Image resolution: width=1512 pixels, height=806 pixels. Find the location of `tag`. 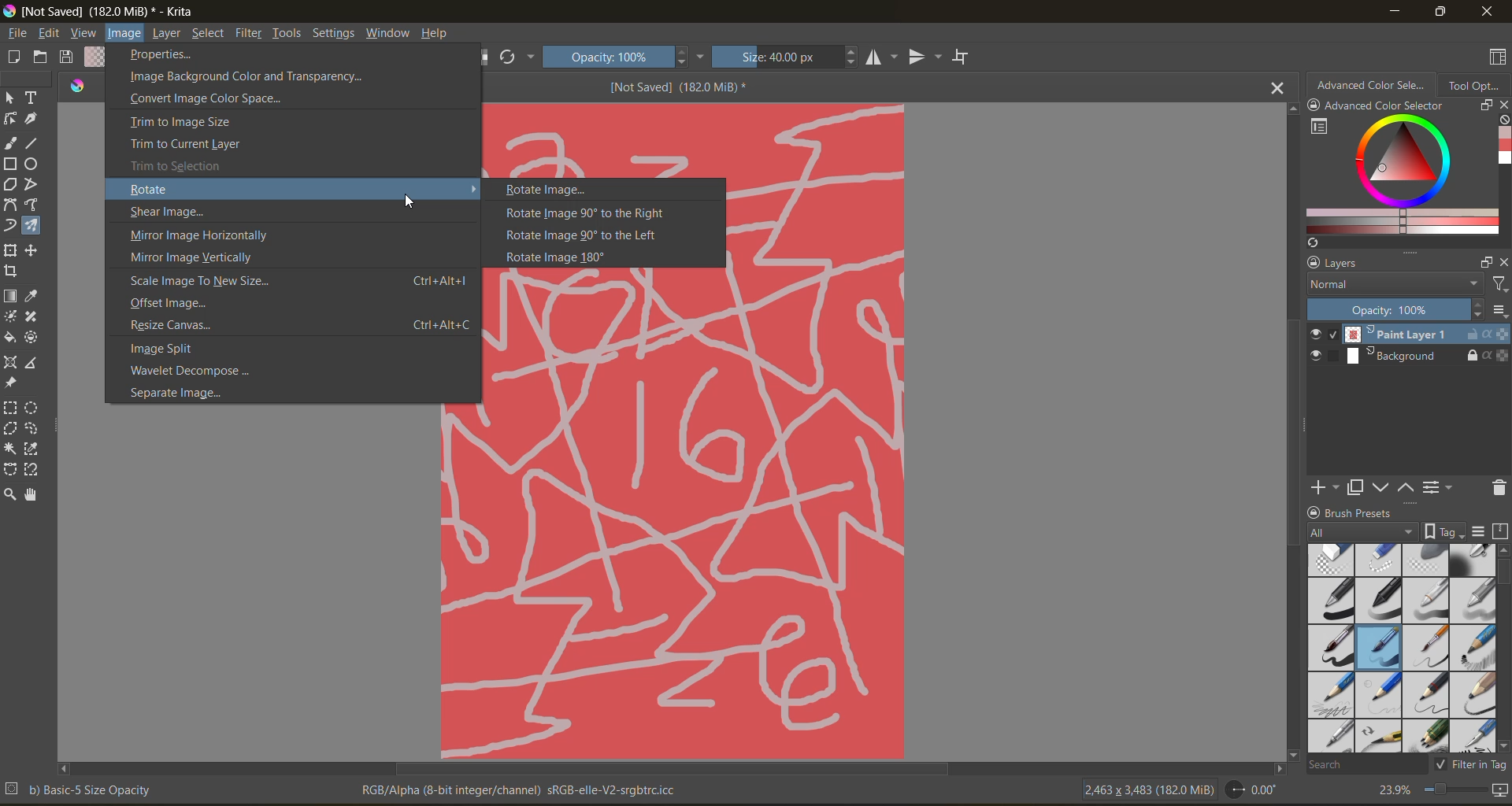

tag is located at coordinates (1362, 533).